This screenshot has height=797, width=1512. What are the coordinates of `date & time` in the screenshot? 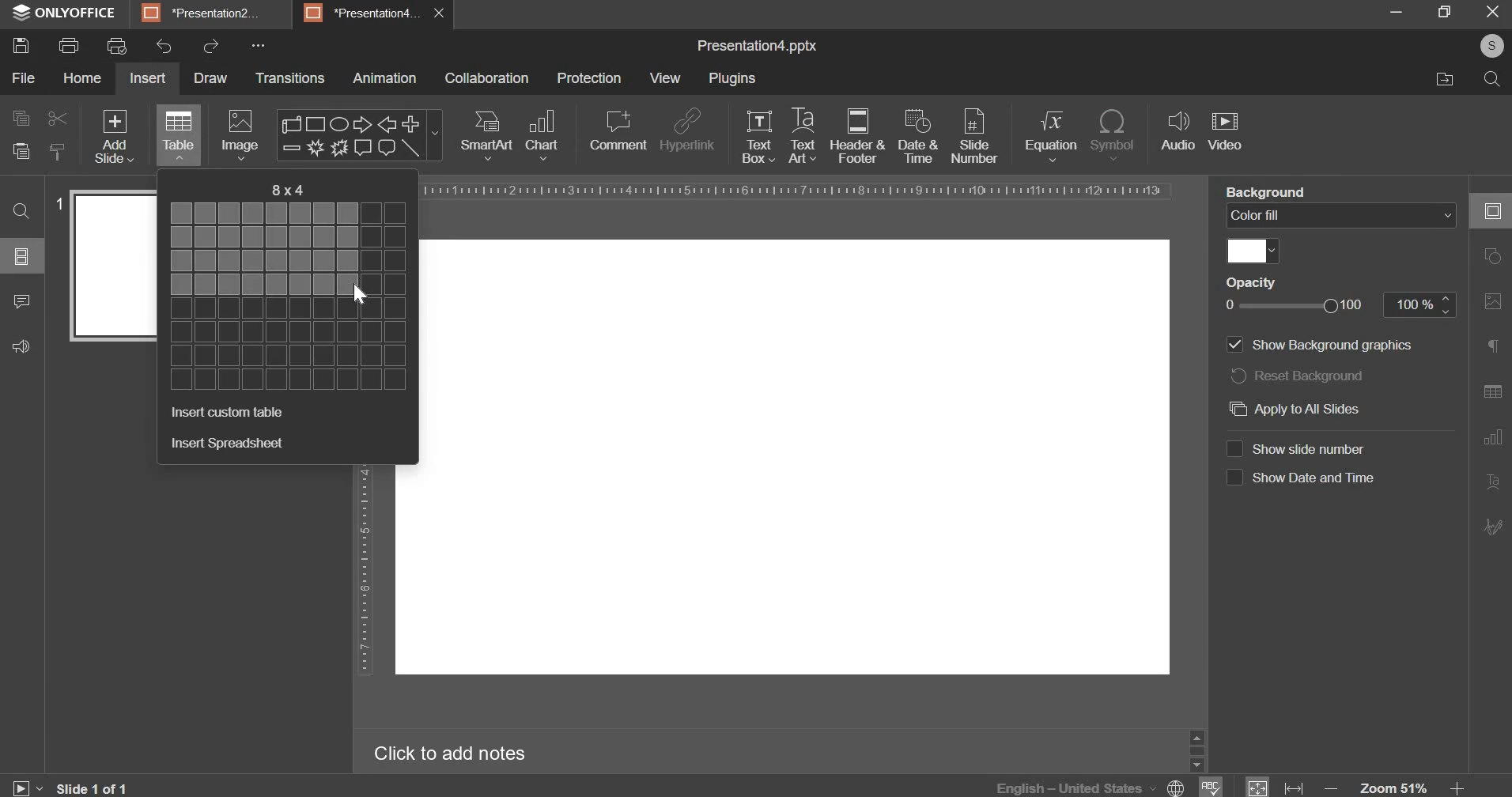 It's located at (917, 135).